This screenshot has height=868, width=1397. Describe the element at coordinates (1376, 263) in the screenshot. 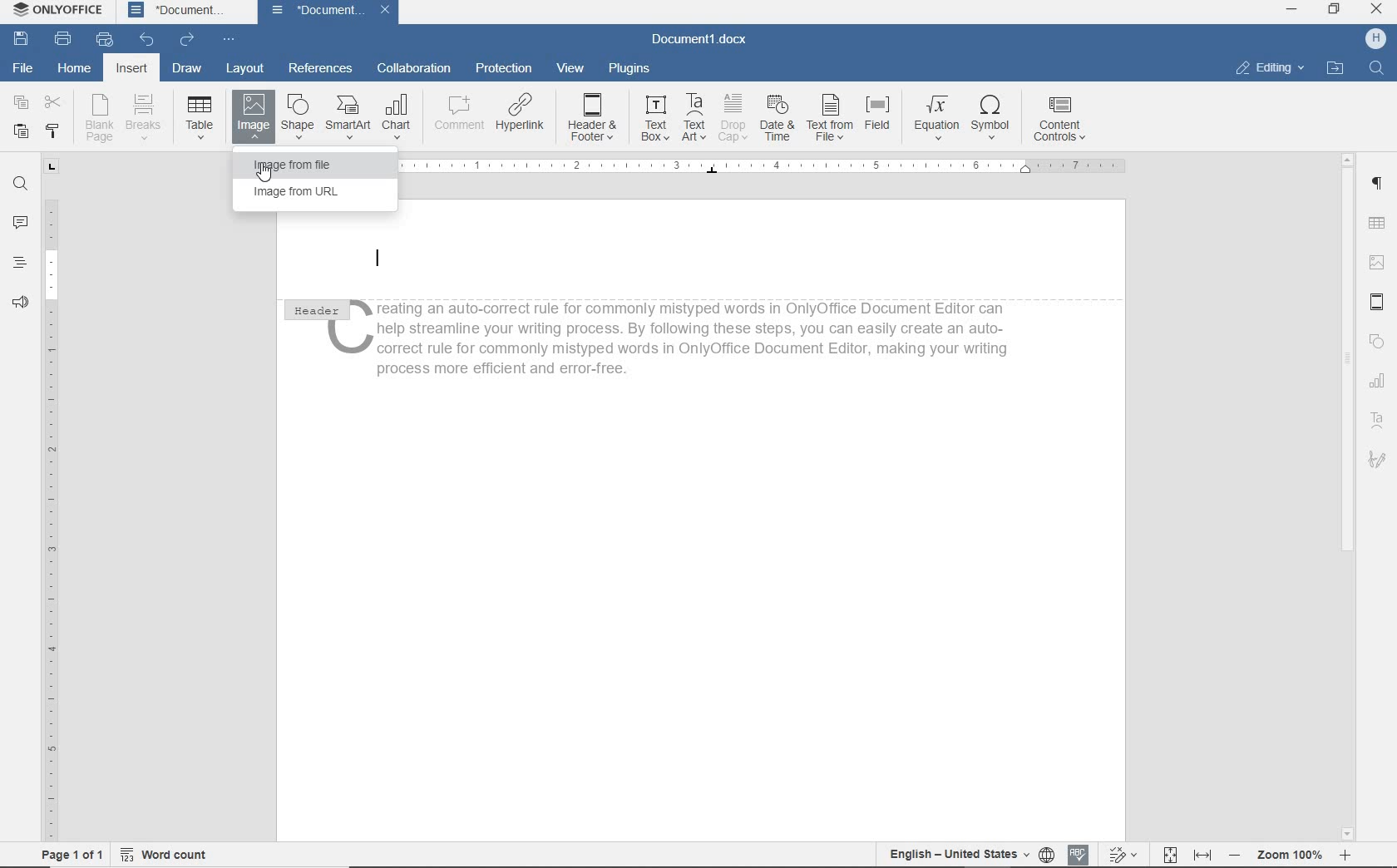

I see `IMAGE` at that location.